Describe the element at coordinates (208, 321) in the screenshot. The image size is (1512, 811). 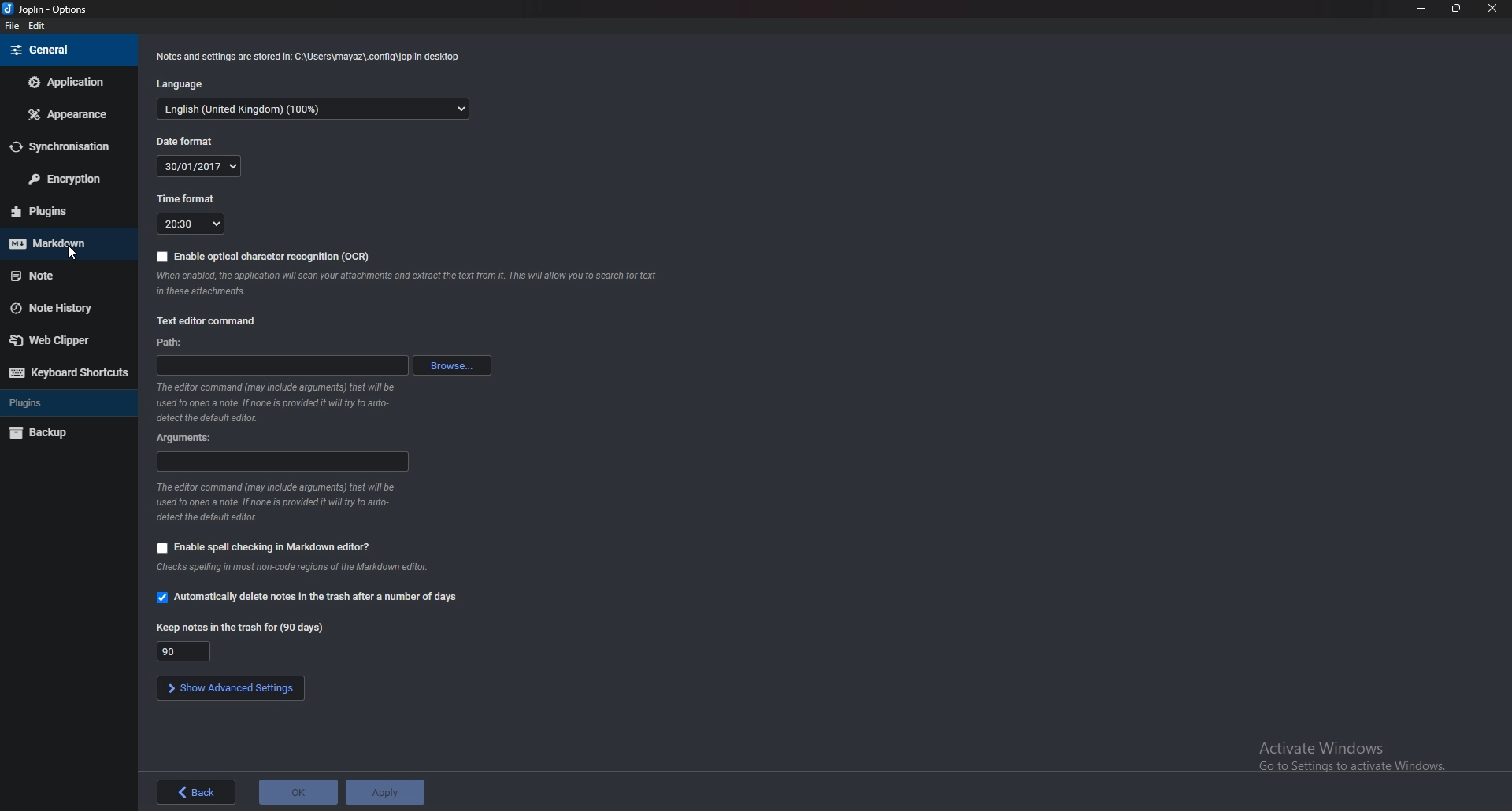
I see `Text editor command` at that location.